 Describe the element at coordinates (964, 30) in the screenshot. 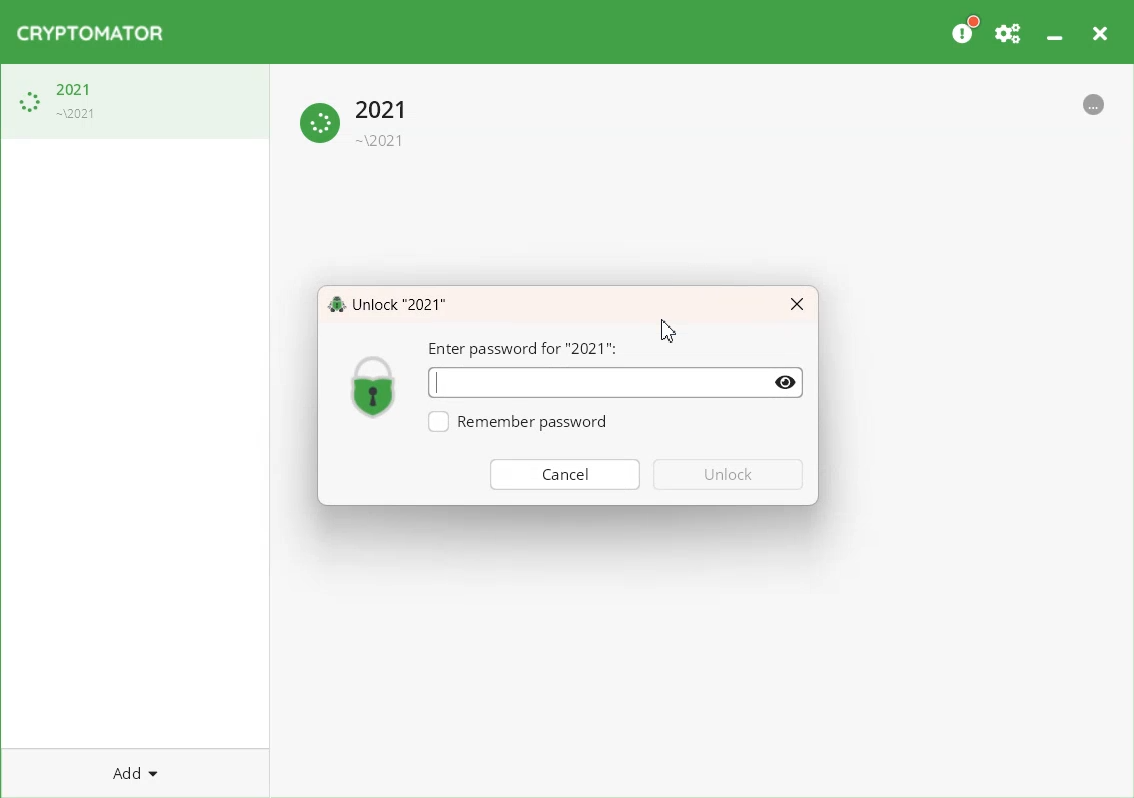

I see `Please Consider donating` at that location.